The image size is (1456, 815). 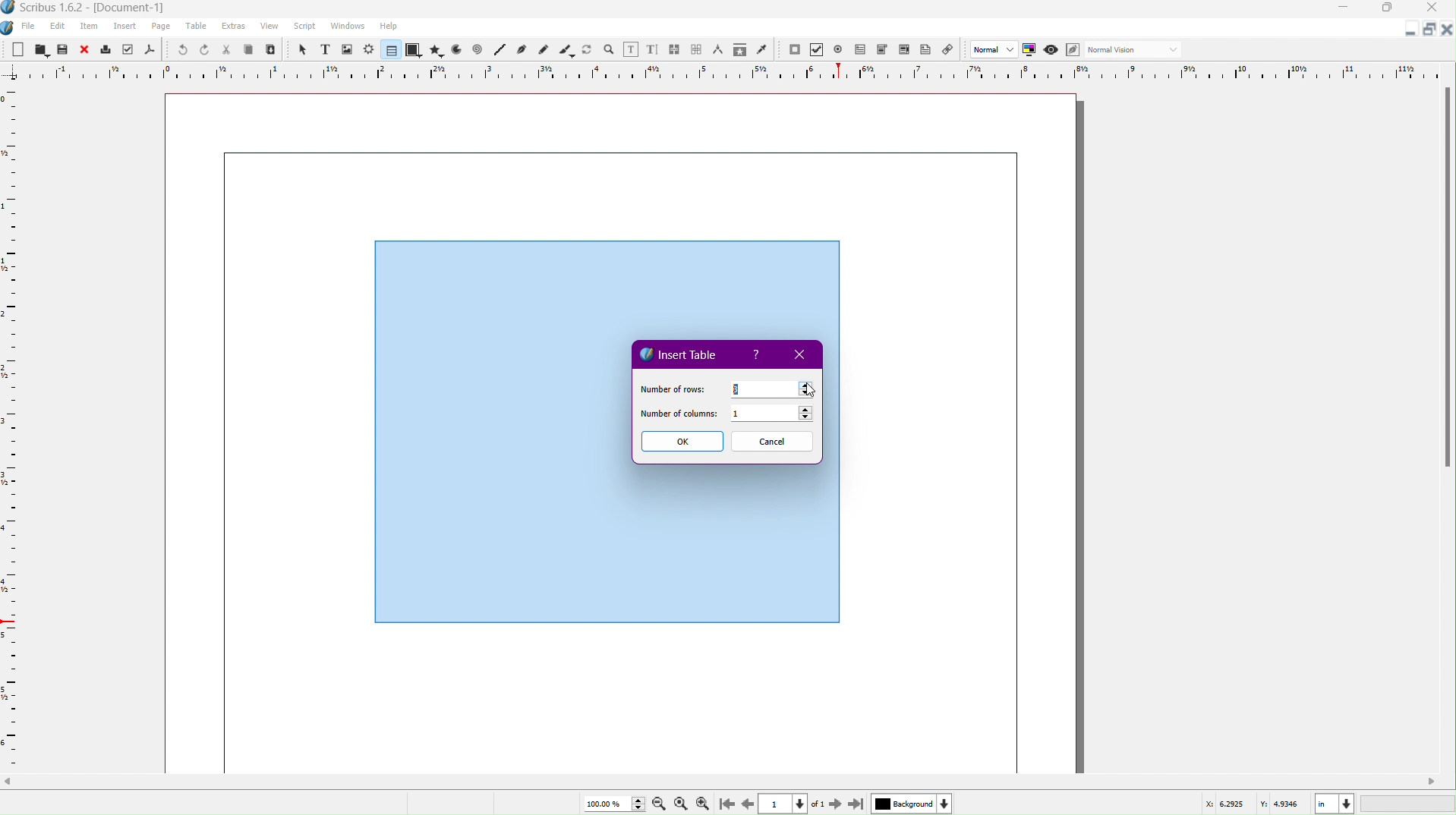 I want to click on Zoom Value, so click(x=611, y=802).